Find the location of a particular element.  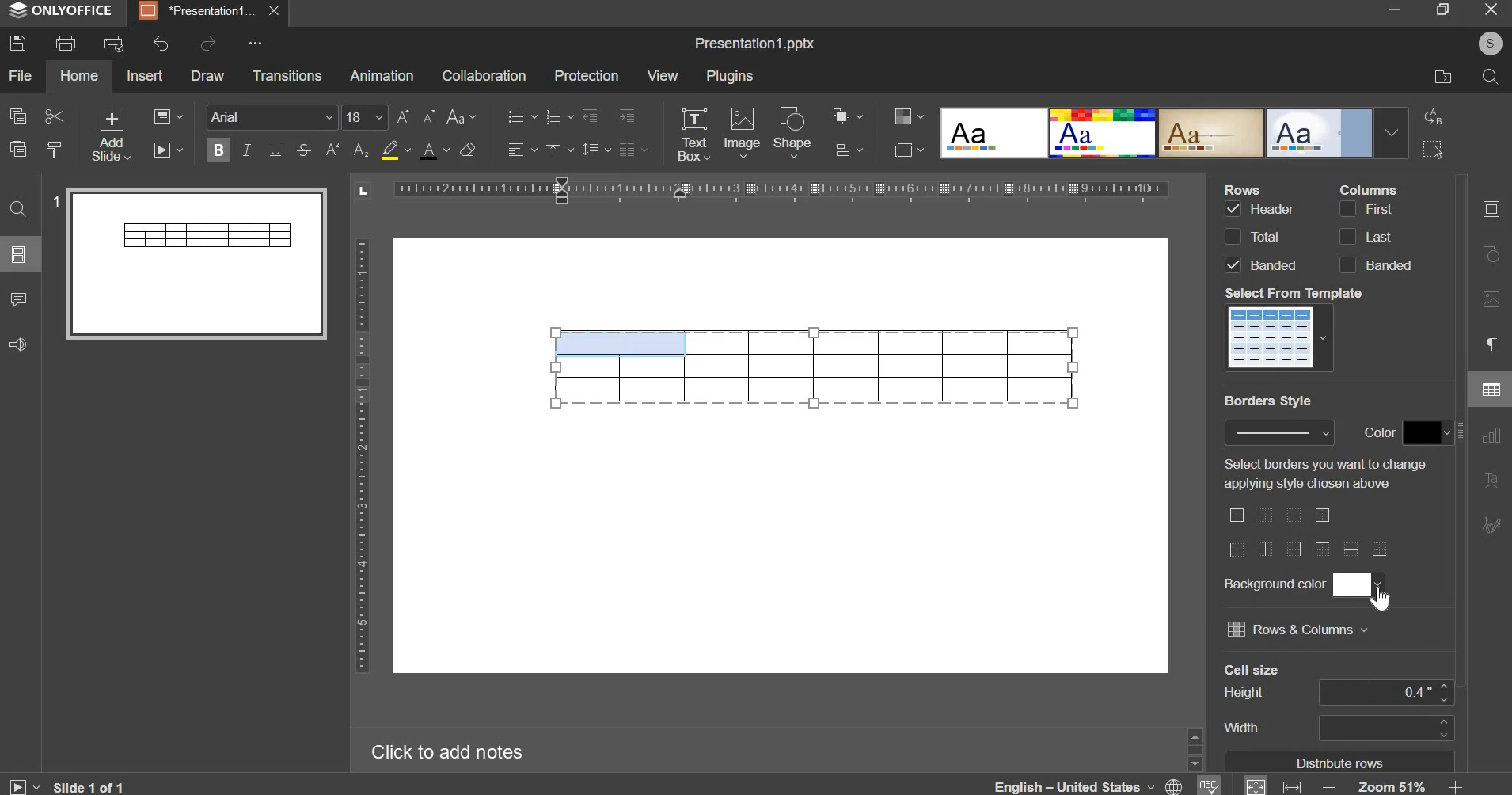

slide menu is located at coordinates (18, 254).